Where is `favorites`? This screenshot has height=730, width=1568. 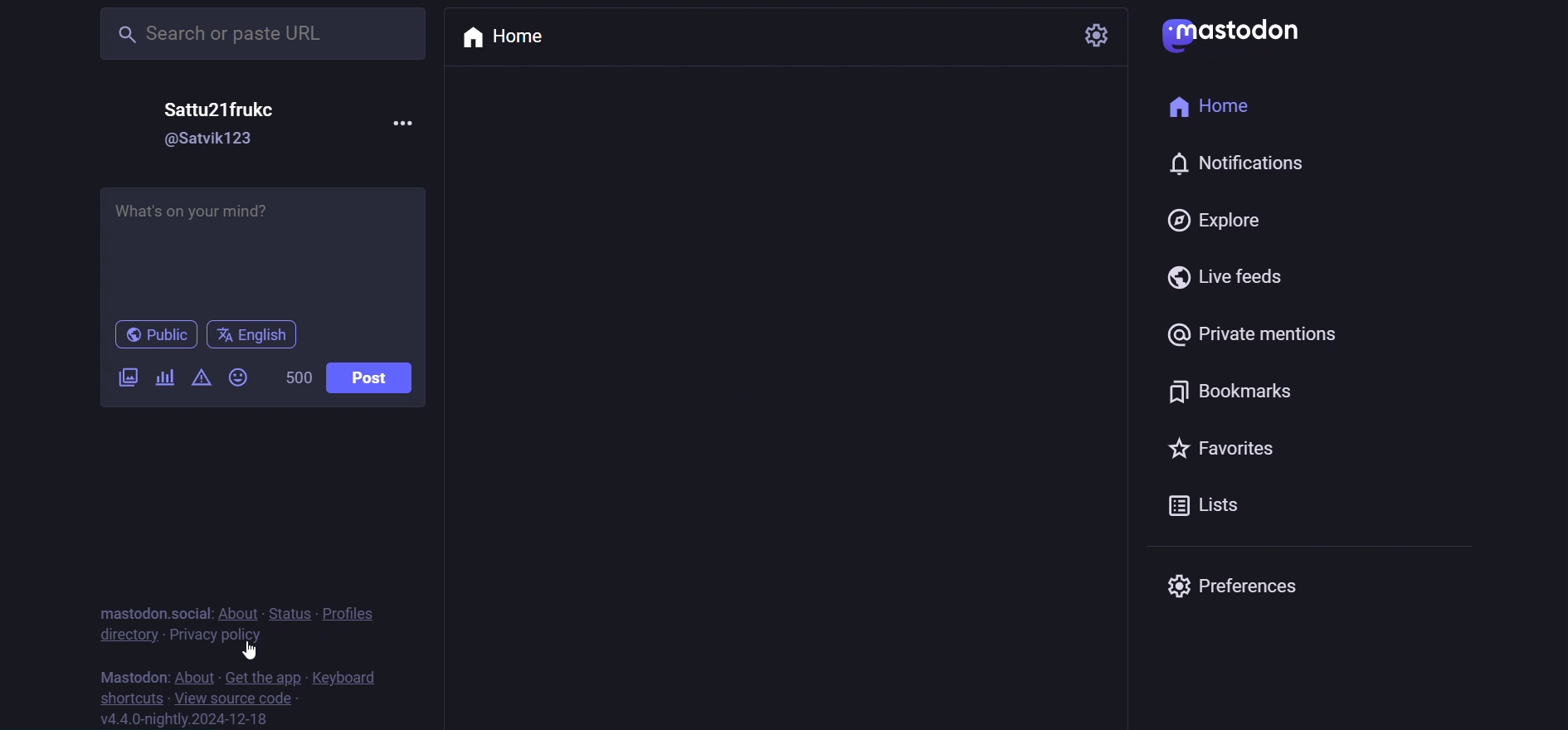 favorites is located at coordinates (1213, 453).